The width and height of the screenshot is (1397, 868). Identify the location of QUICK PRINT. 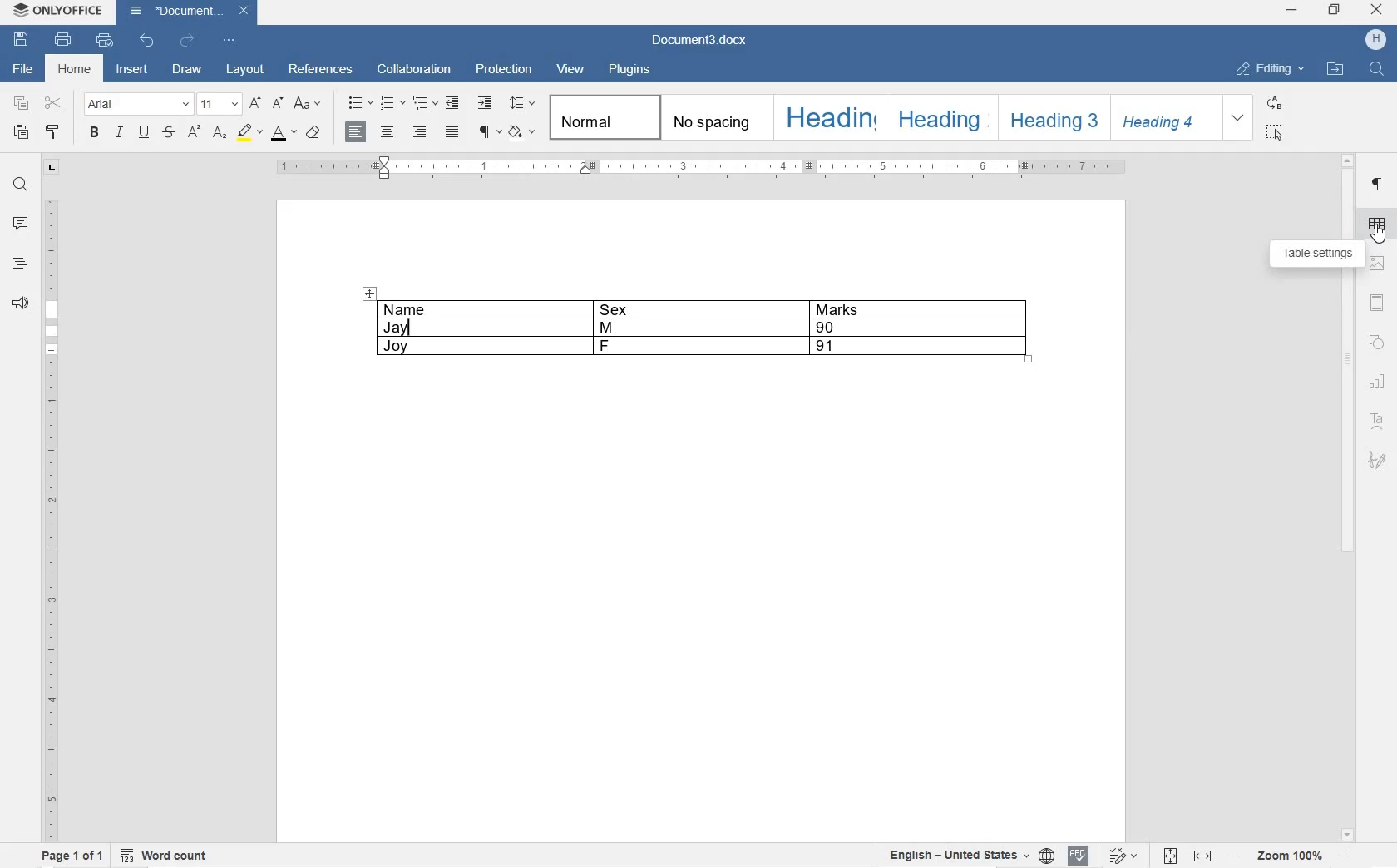
(105, 40).